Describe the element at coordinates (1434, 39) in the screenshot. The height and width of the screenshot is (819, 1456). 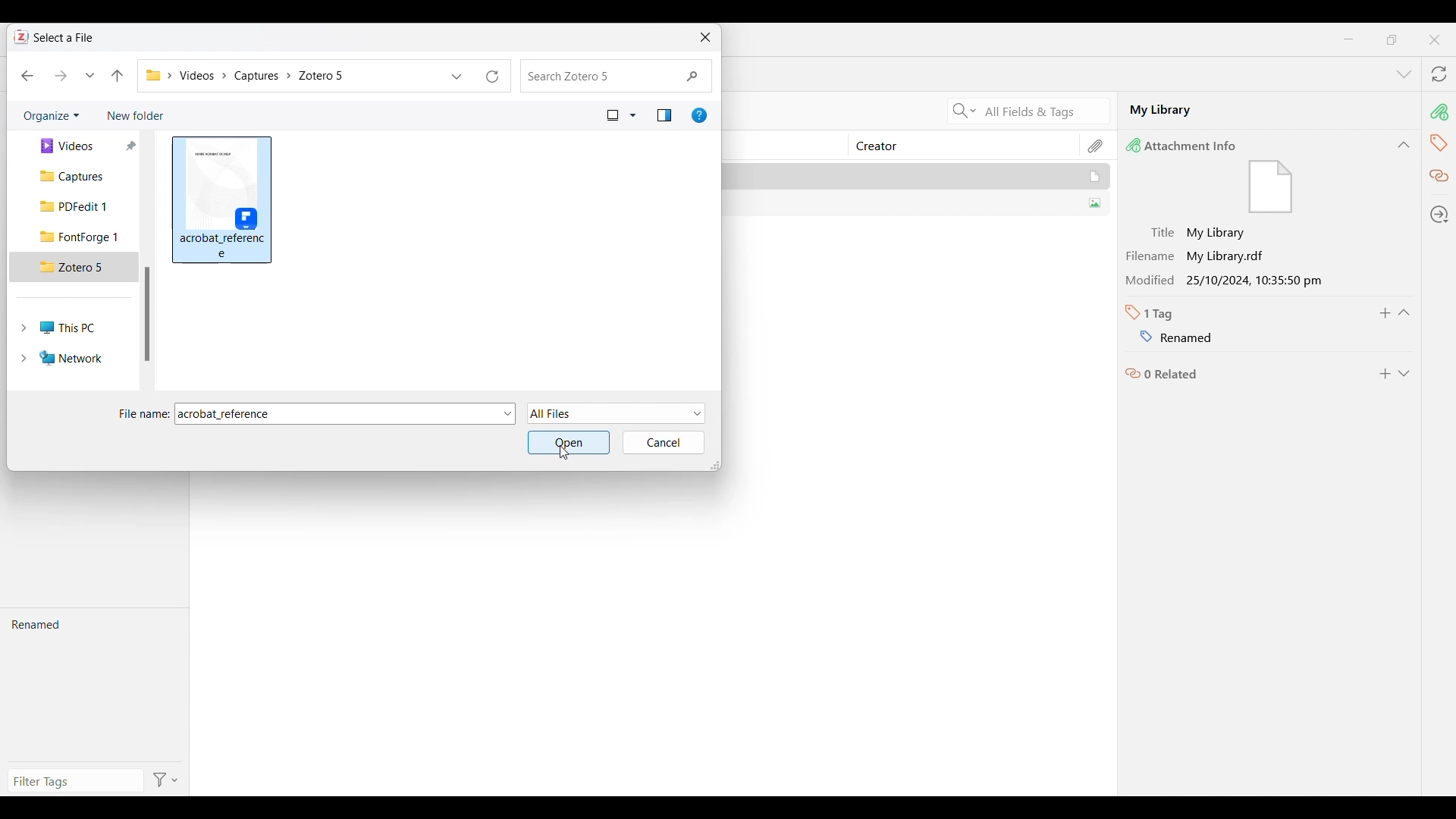
I see `Close interface` at that location.